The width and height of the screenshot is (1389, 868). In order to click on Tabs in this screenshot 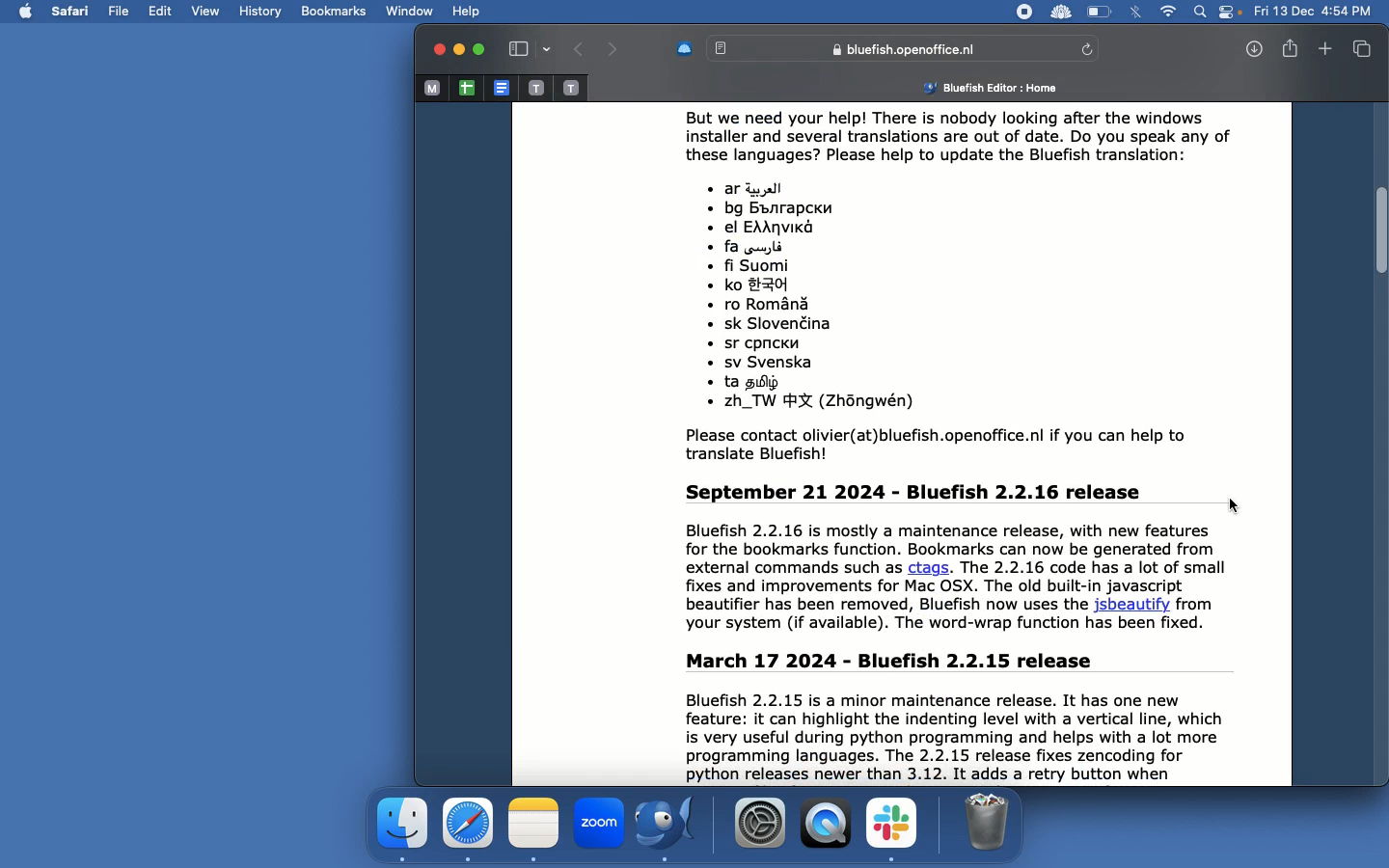, I will do `click(1362, 49)`.